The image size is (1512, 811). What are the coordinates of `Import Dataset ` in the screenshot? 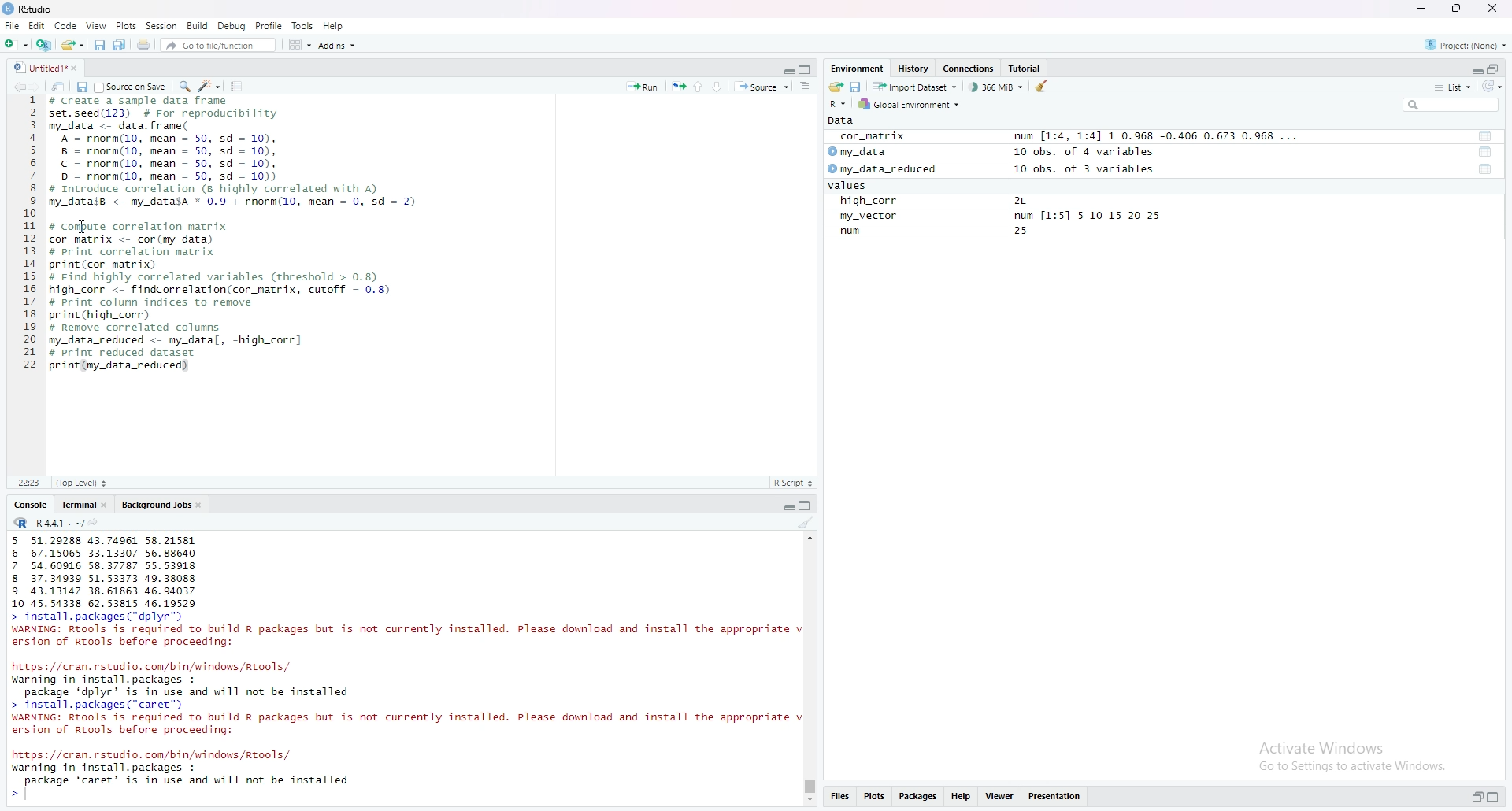 It's located at (915, 87).